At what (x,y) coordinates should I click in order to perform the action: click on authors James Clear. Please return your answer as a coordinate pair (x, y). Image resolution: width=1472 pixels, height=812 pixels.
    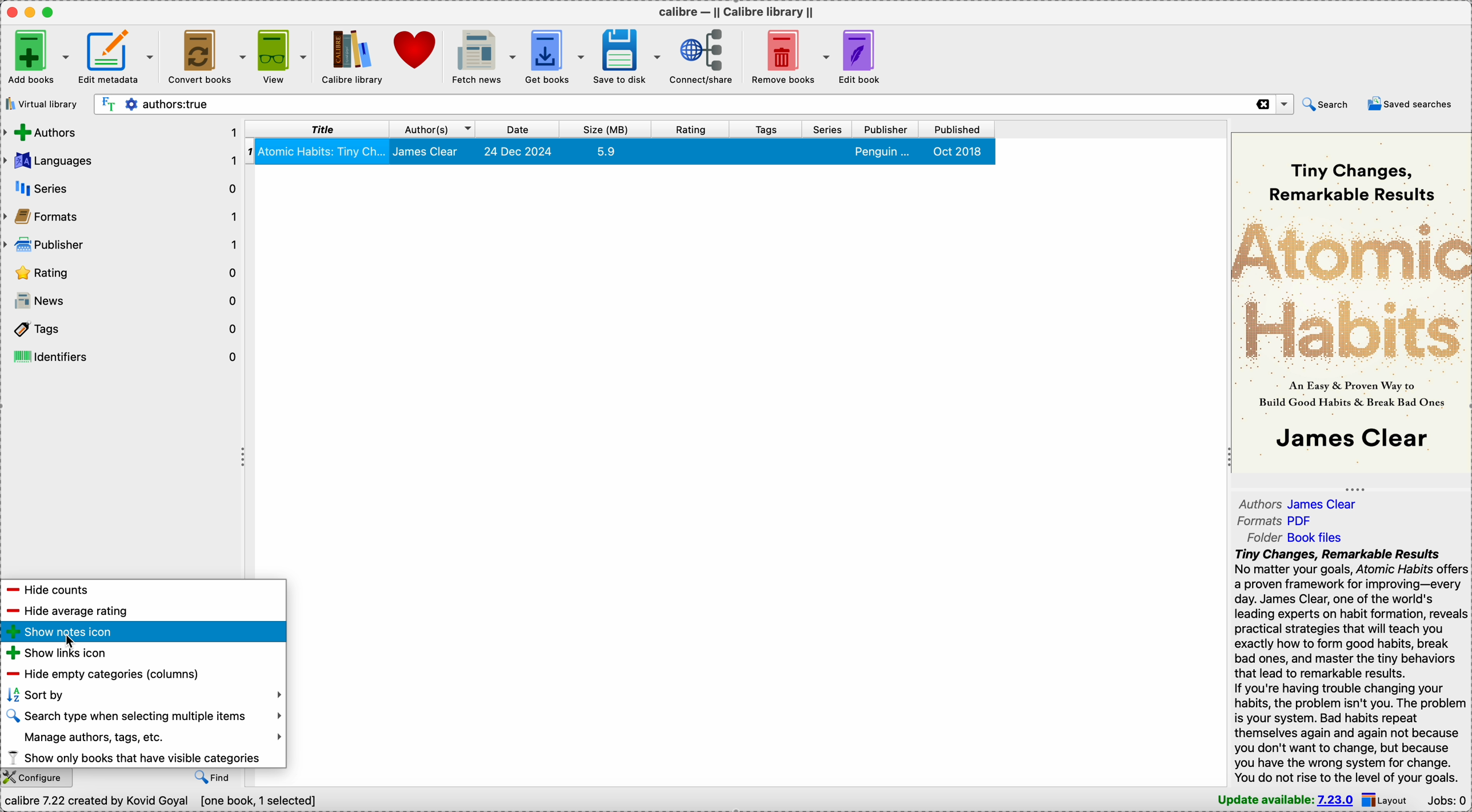
    Looking at the image, I should click on (1300, 503).